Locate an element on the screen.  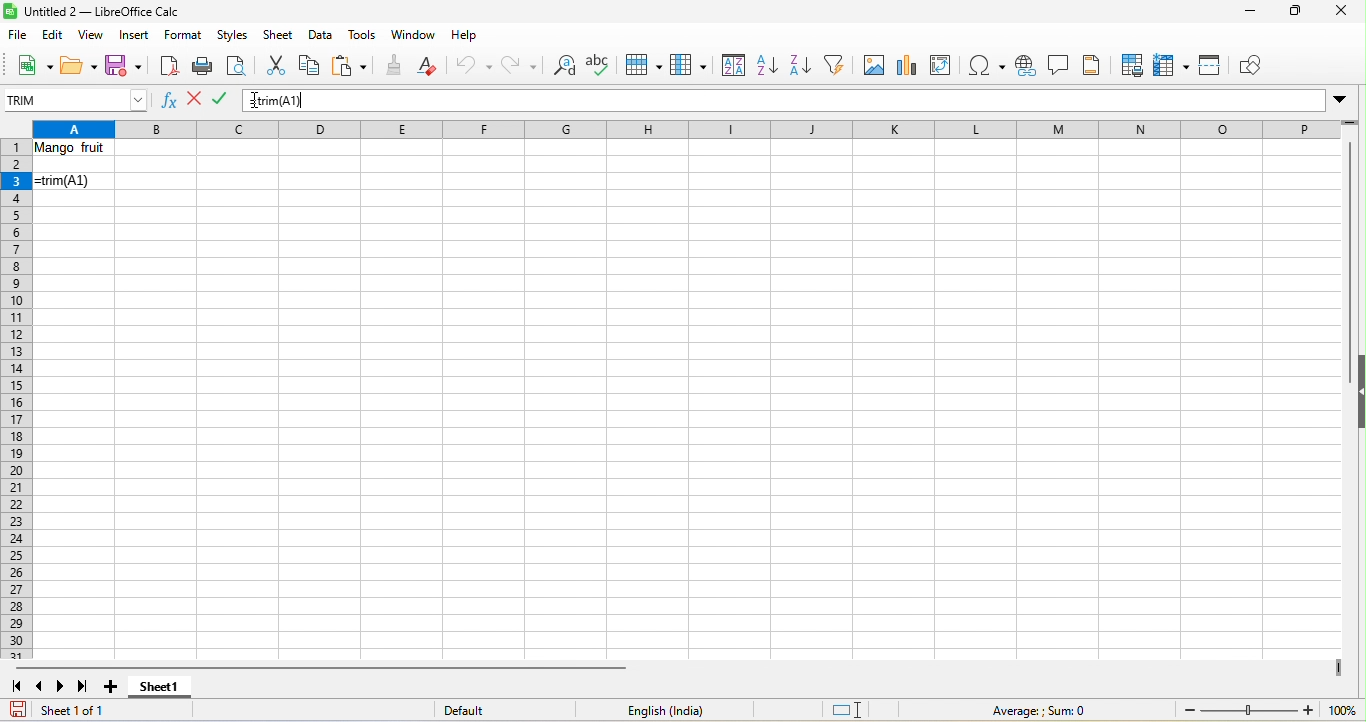
paste is located at coordinates (350, 67).